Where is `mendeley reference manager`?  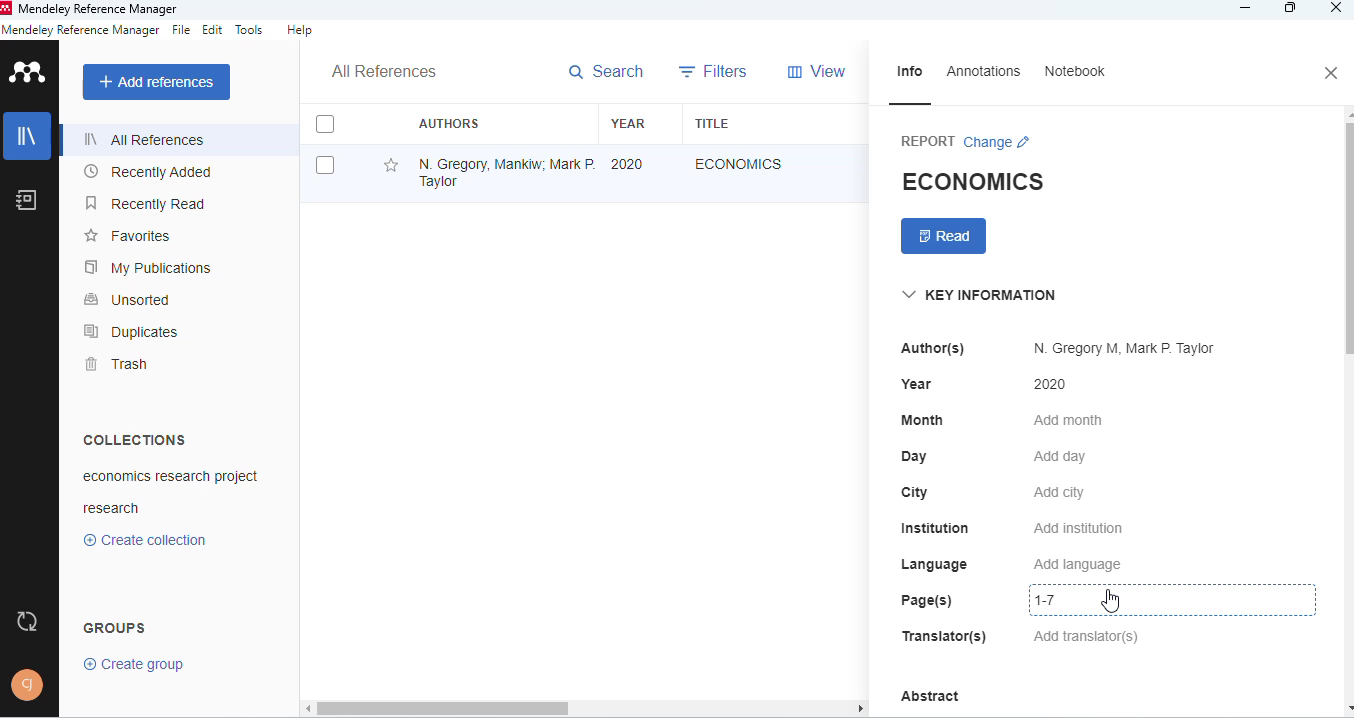 mendeley reference manager is located at coordinates (81, 30).